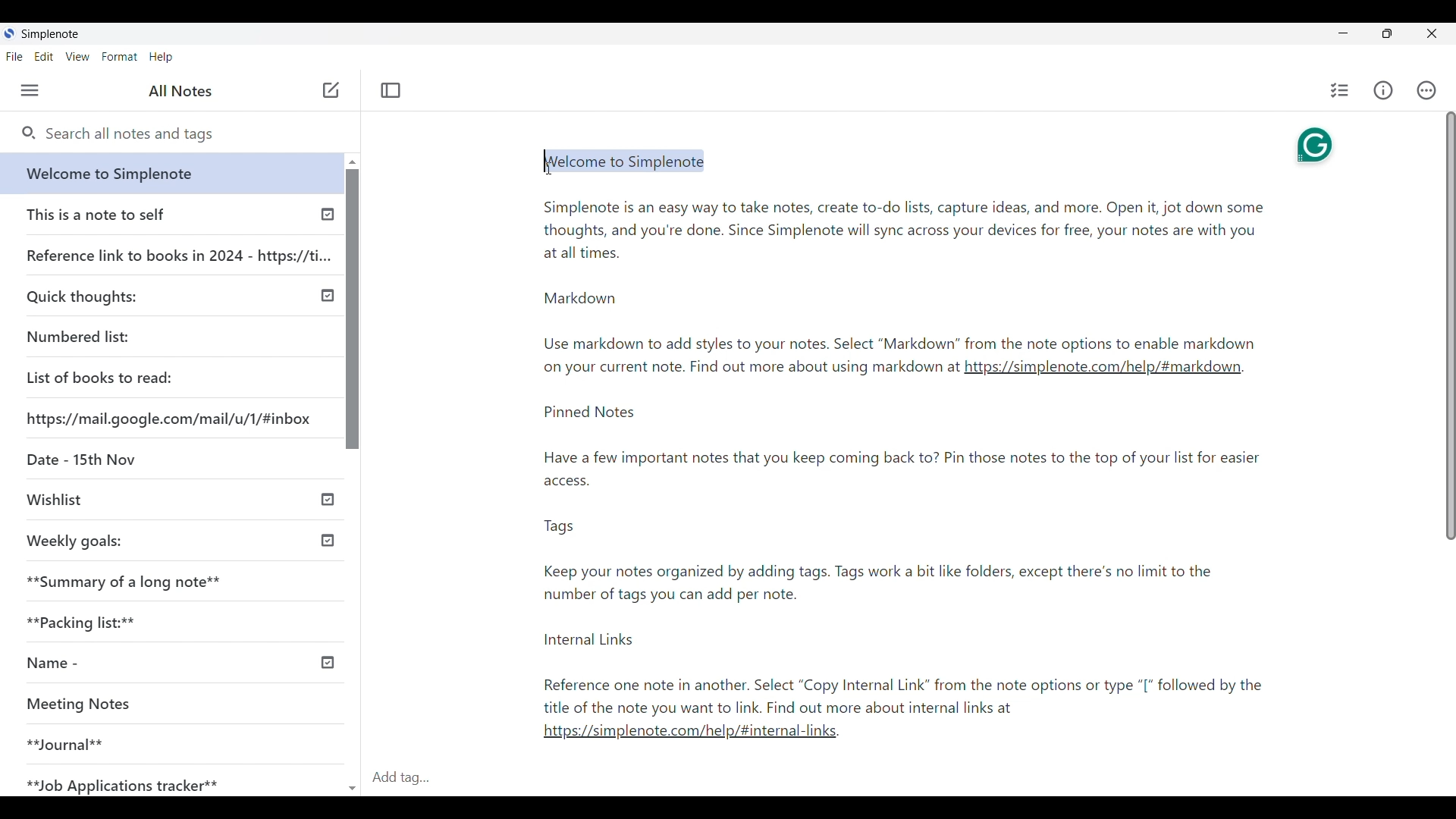 Image resolution: width=1456 pixels, height=819 pixels. I want to click on Job Application tracker, so click(119, 781).